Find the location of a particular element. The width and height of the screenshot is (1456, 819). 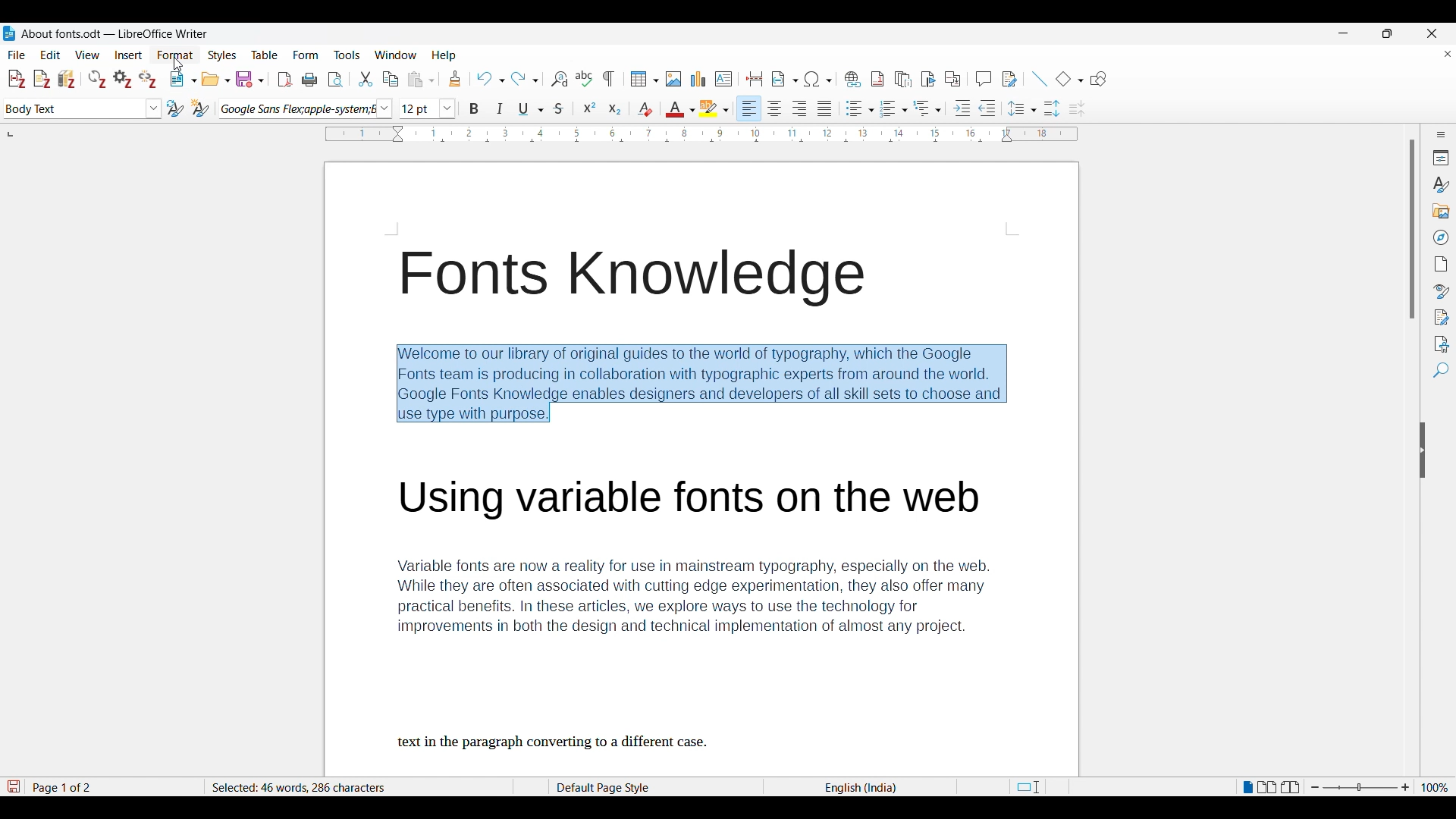

Insert table is located at coordinates (645, 79).